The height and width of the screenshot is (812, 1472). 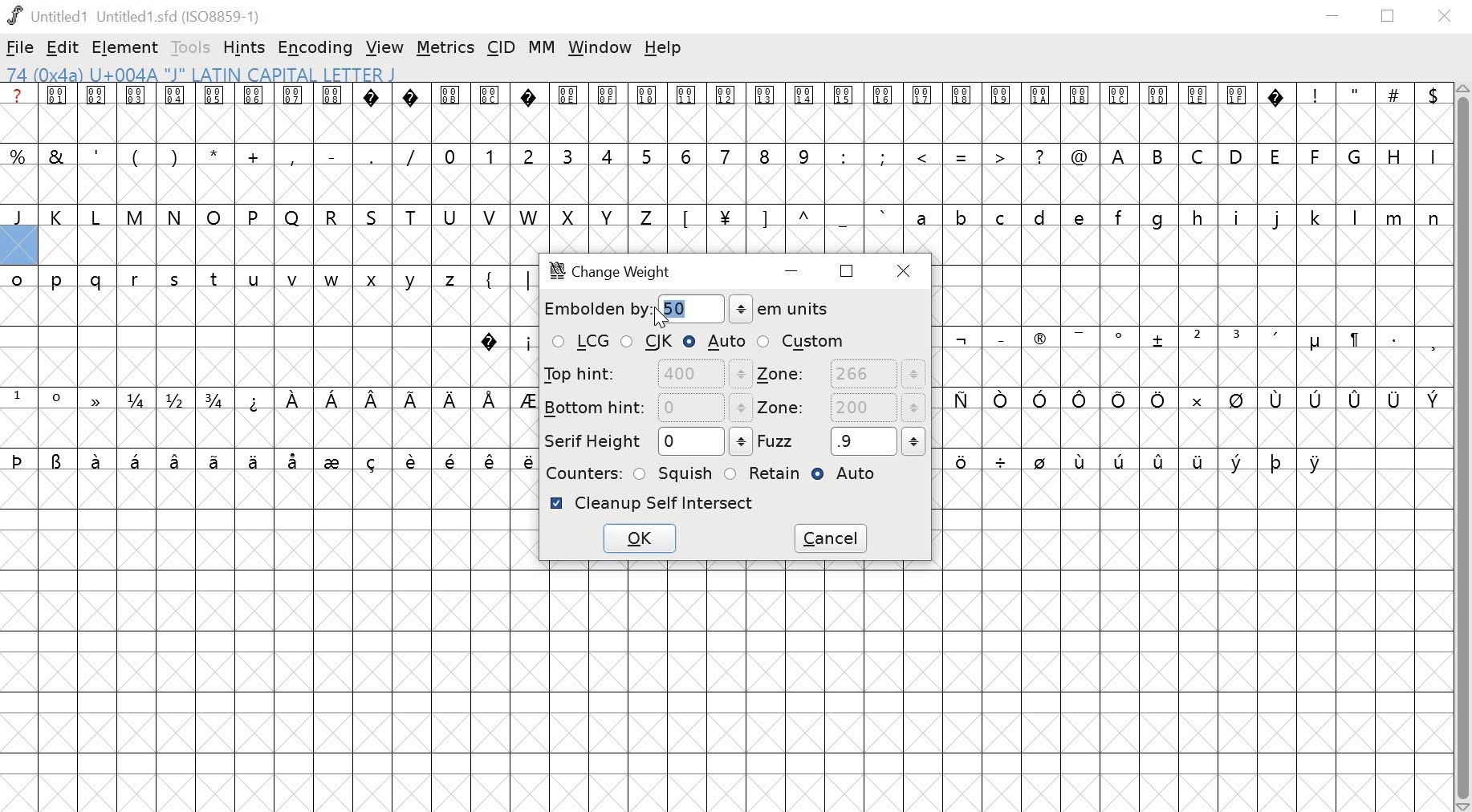 What do you see at coordinates (179, 401) in the screenshot?
I see `fractions` at bounding box center [179, 401].